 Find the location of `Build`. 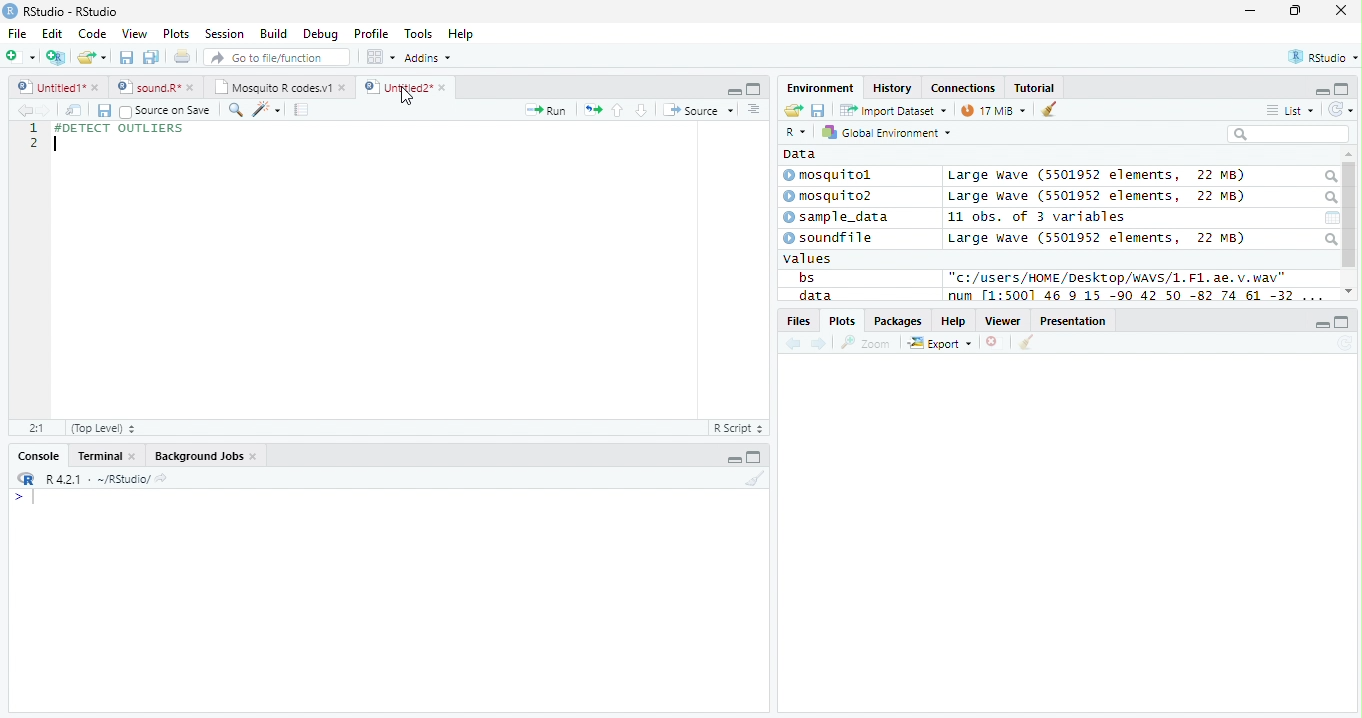

Build is located at coordinates (274, 33).